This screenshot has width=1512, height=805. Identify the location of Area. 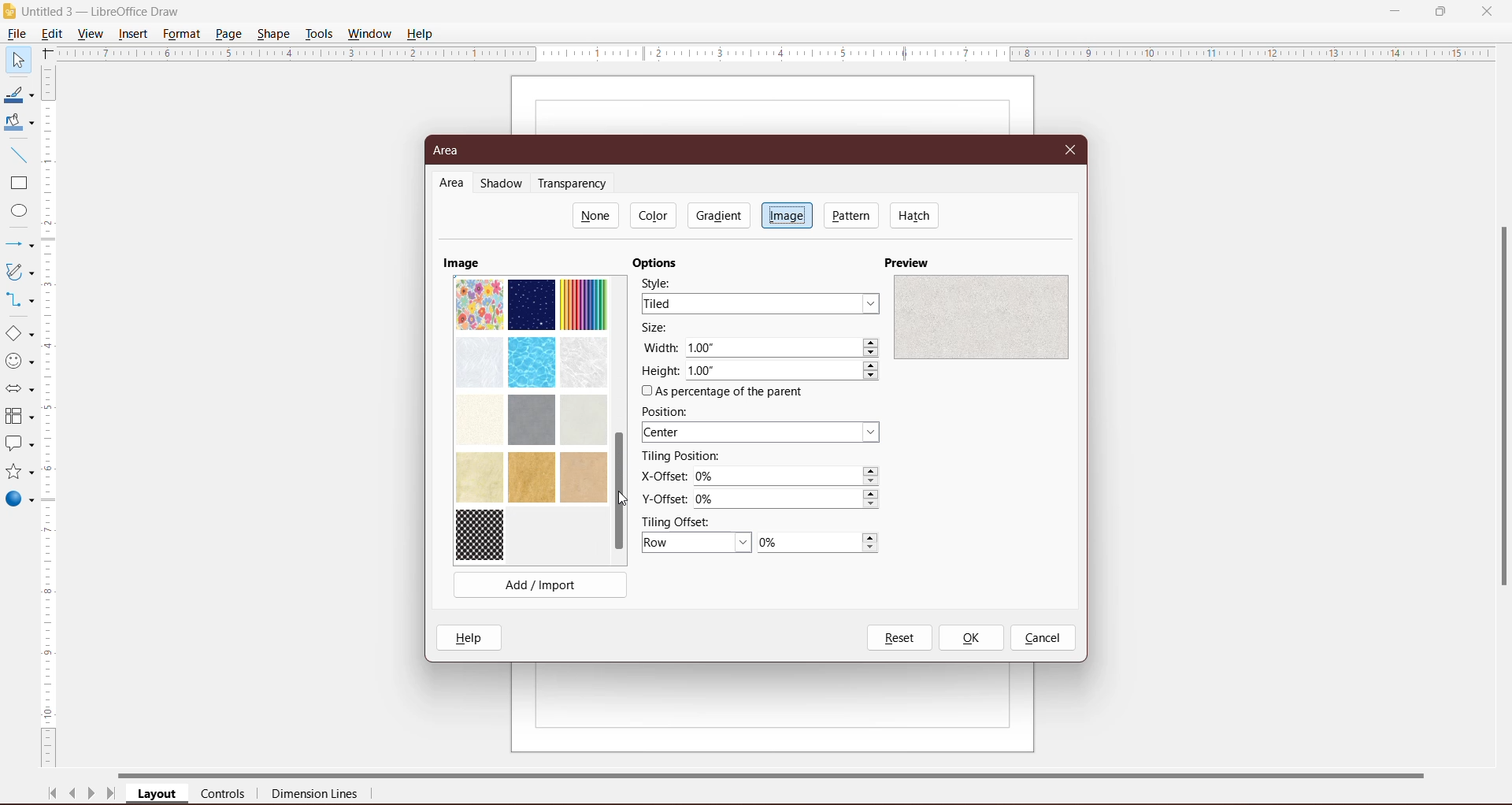
(452, 184).